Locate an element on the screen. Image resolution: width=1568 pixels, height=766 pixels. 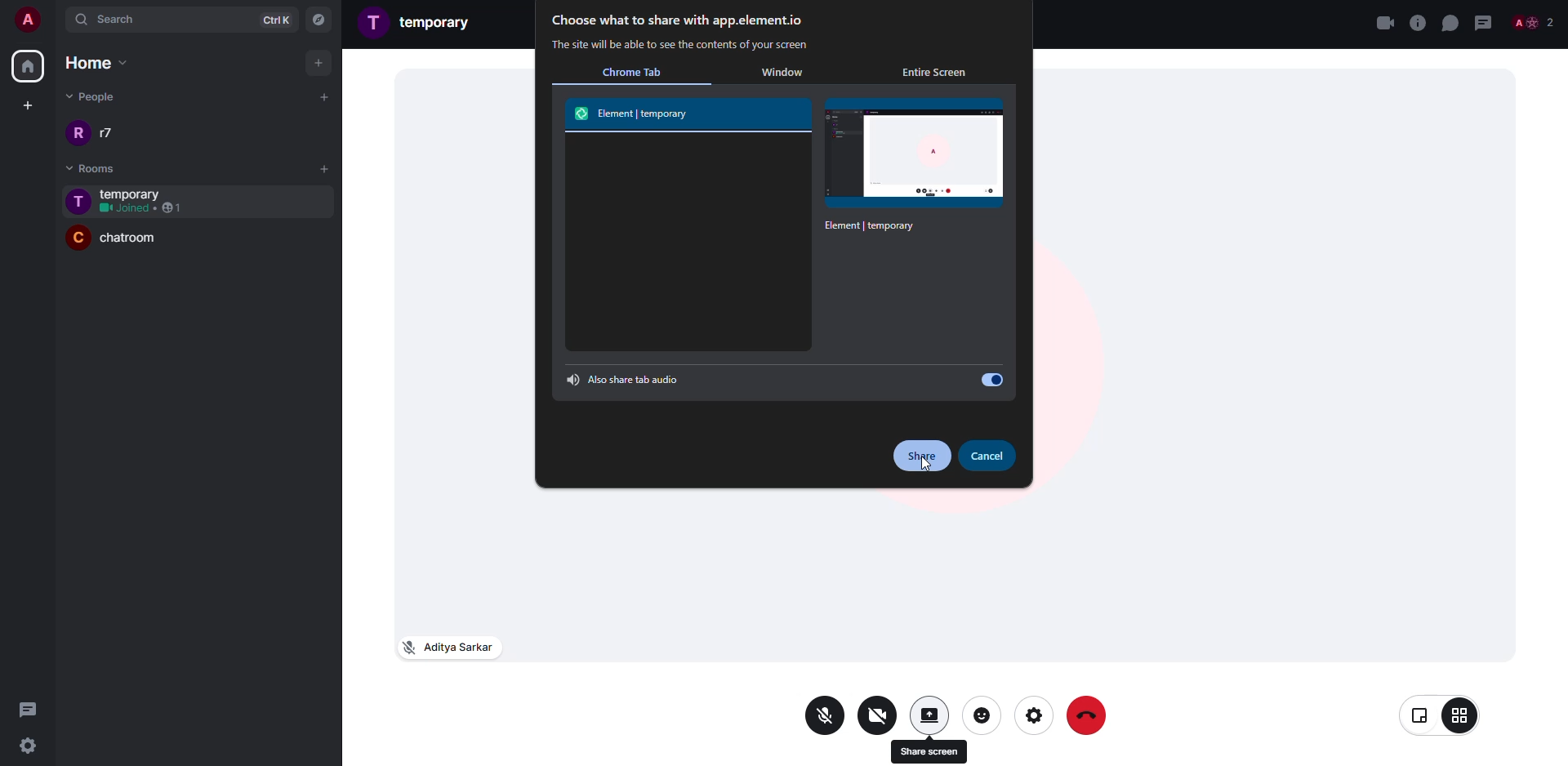
mic off is located at coordinates (447, 646).